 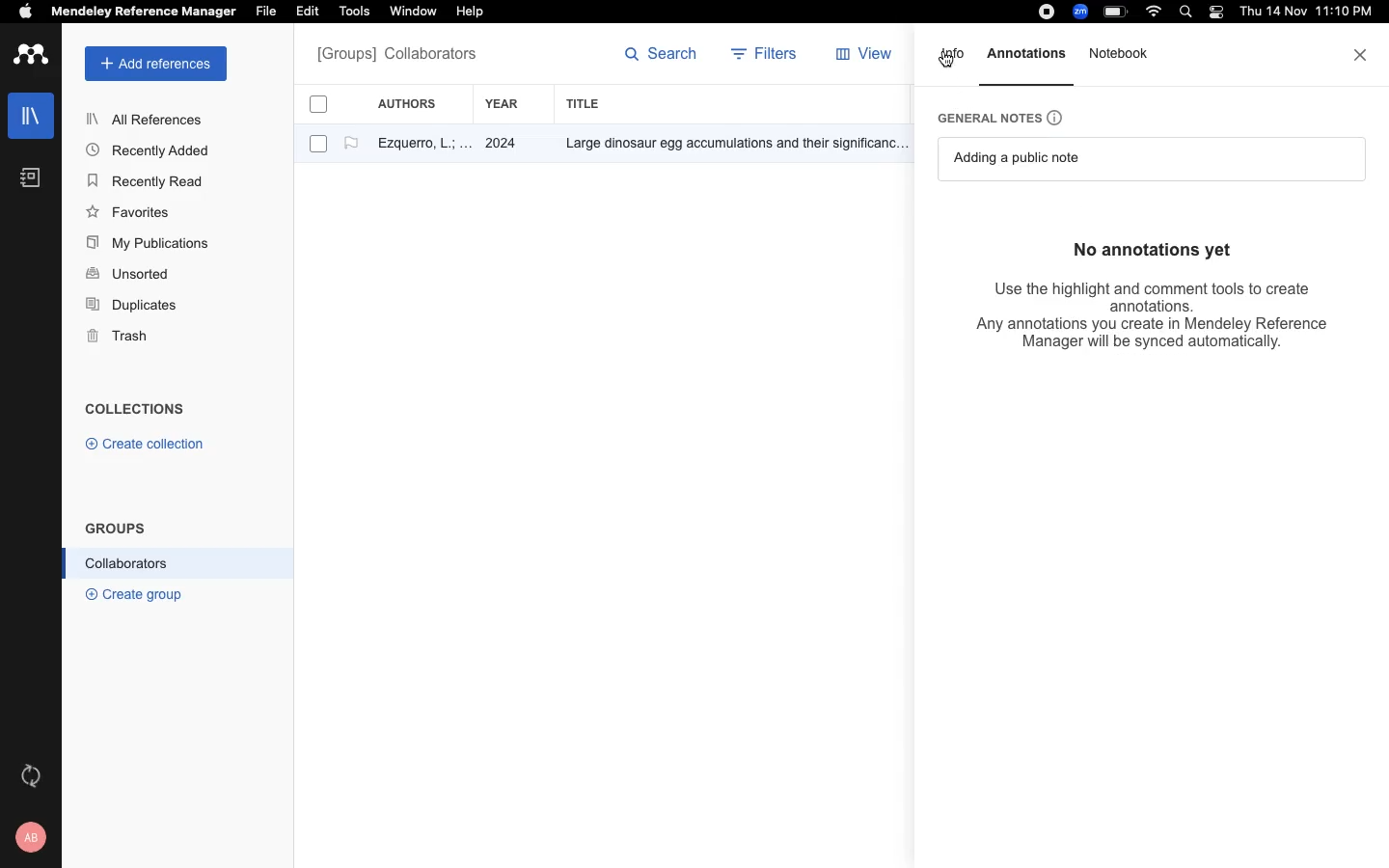 What do you see at coordinates (34, 837) in the screenshot?
I see `profile` at bounding box center [34, 837].